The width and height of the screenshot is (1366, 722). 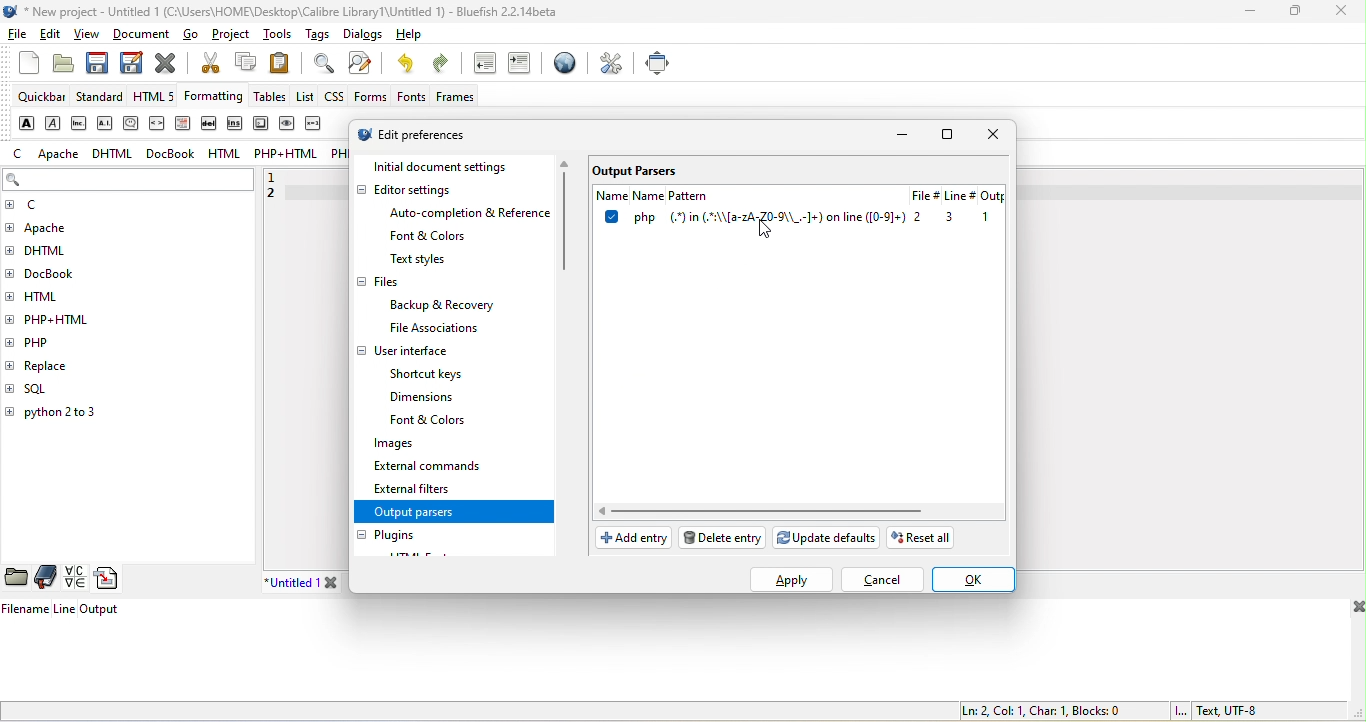 I want to click on external commands, so click(x=433, y=467).